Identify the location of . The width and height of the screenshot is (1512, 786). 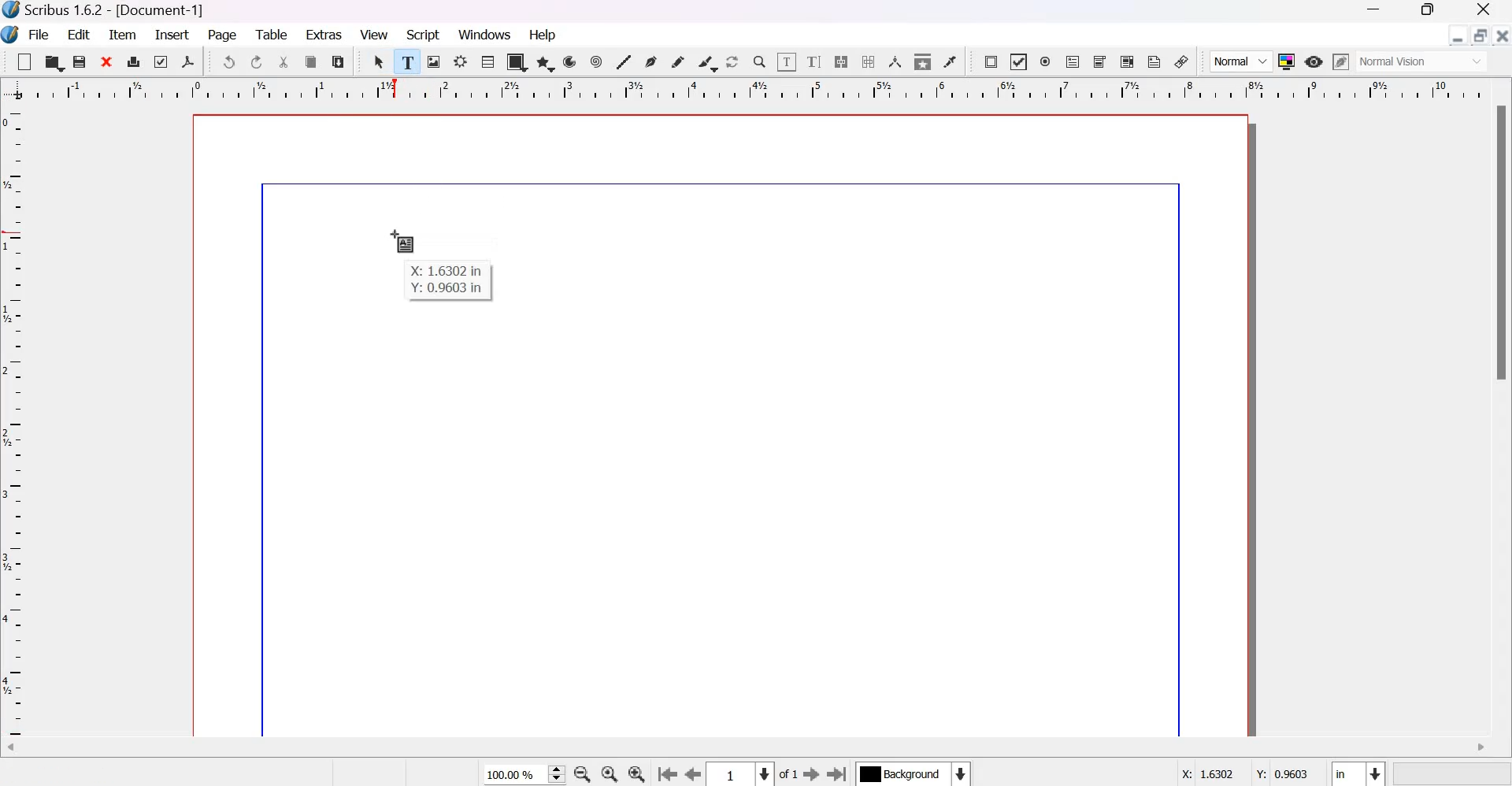
(271, 35).